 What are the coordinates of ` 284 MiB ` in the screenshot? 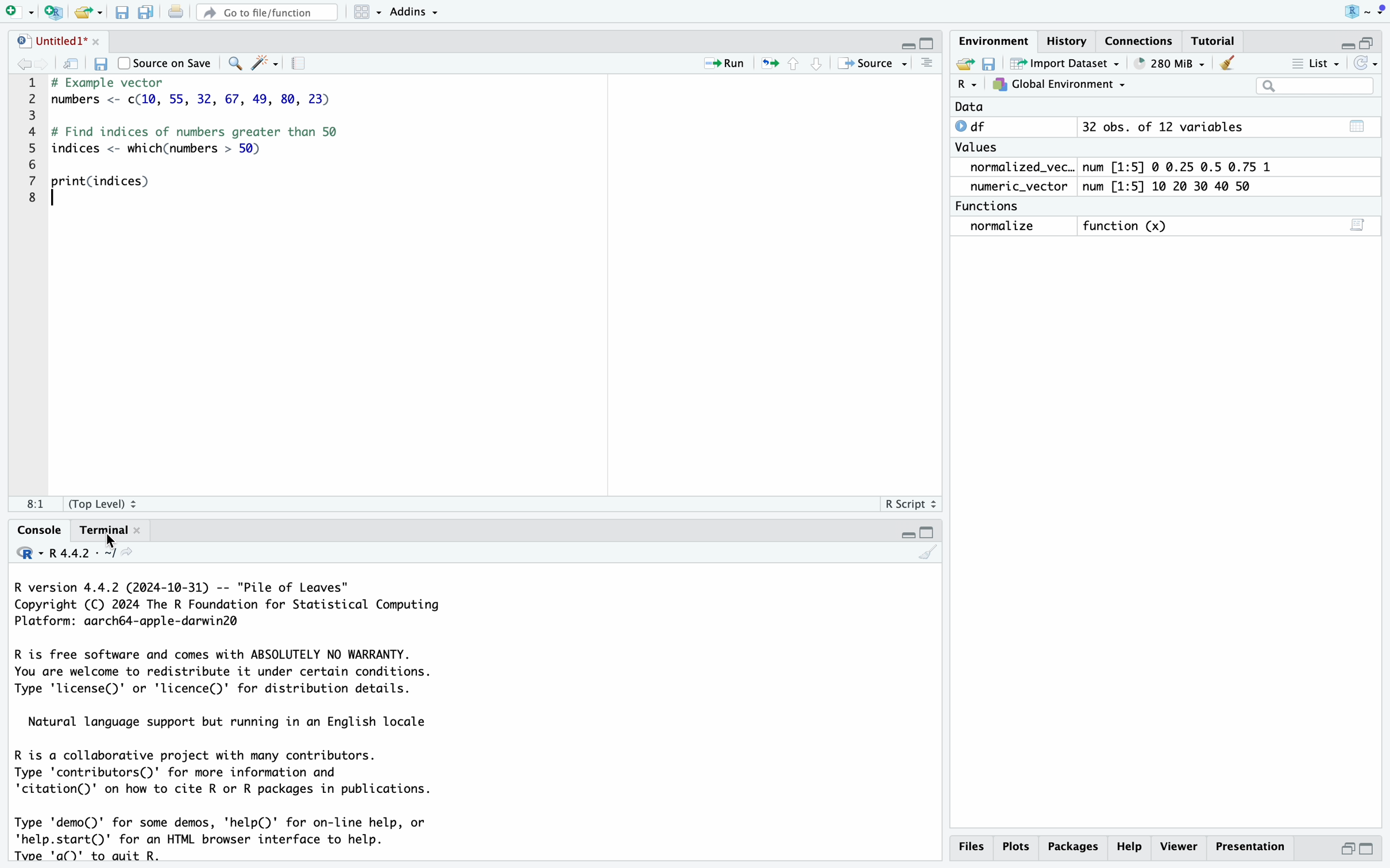 It's located at (1166, 64).